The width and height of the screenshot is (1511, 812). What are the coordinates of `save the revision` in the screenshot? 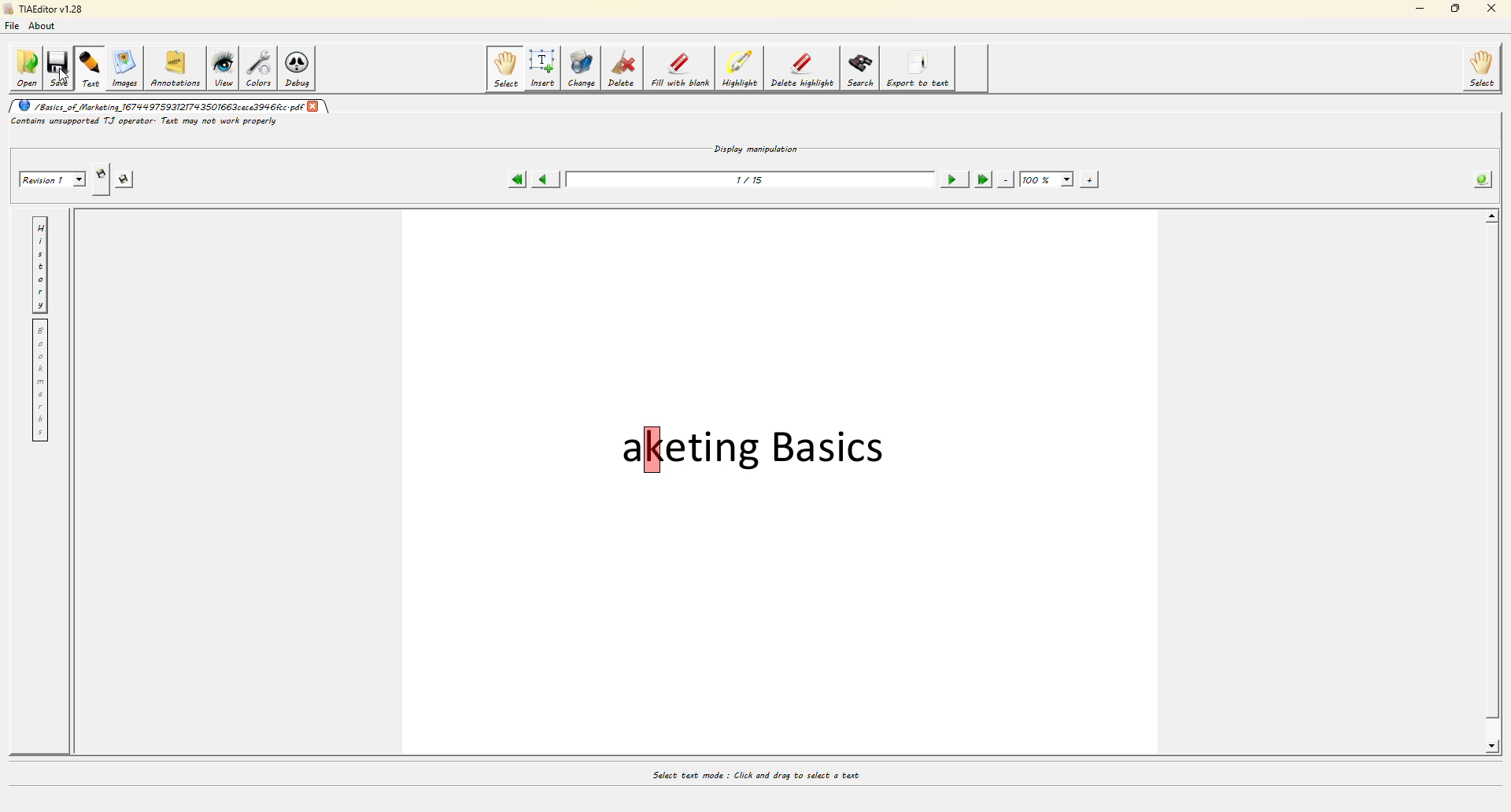 It's located at (131, 177).